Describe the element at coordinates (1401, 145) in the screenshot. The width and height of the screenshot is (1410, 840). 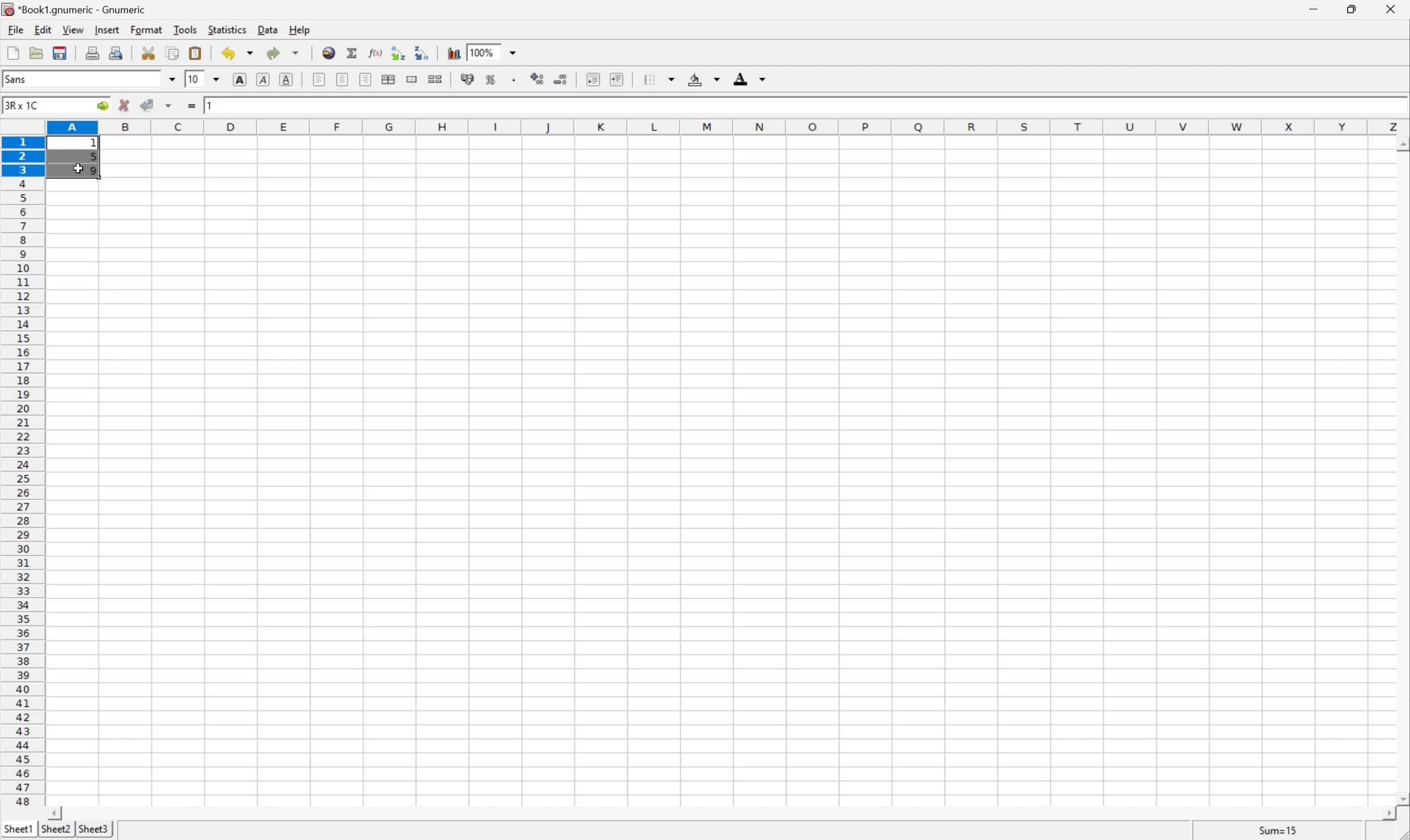
I see `scroll up` at that location.